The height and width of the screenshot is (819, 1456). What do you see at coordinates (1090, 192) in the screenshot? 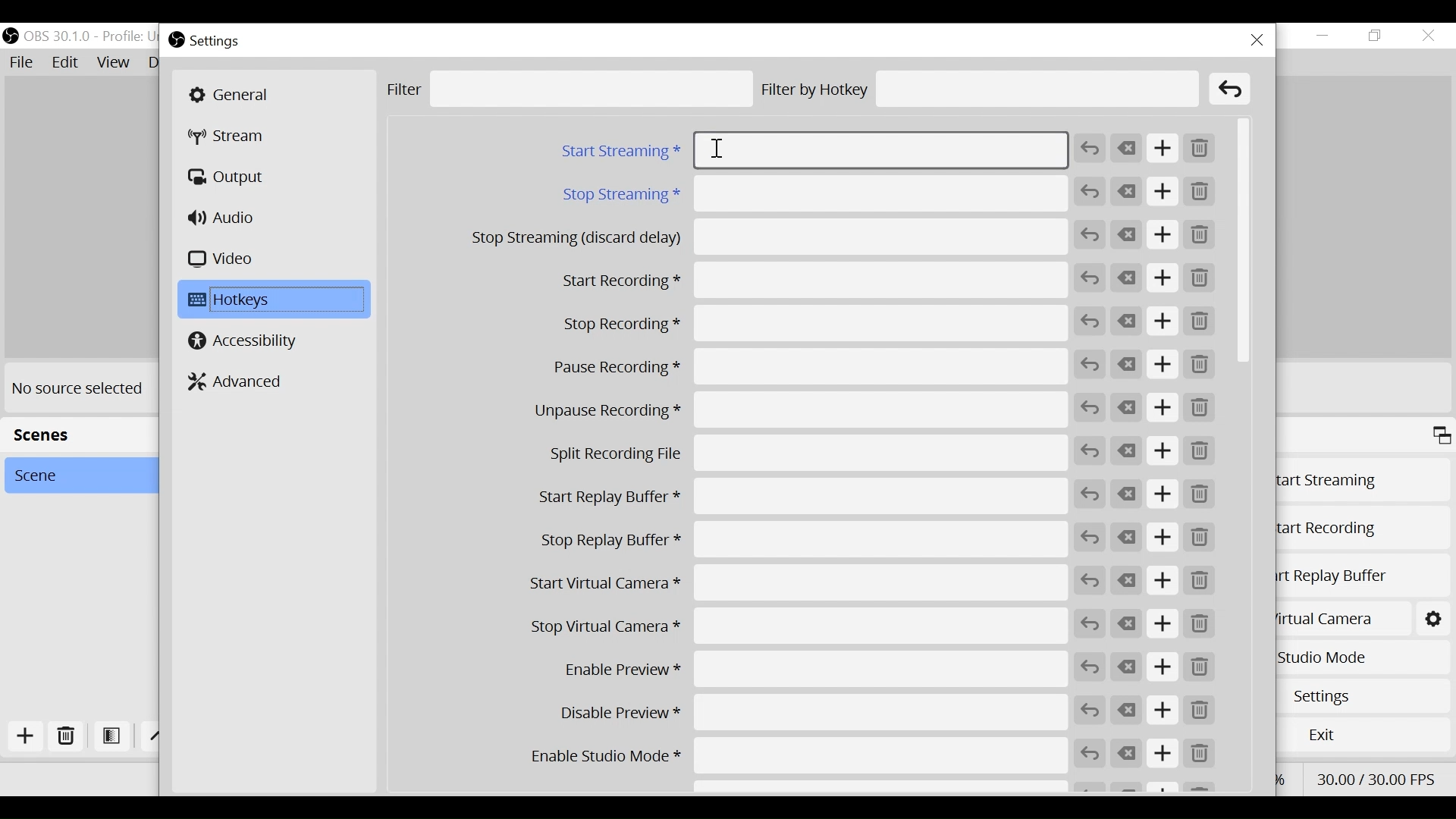
I see `Revert` at bounding box center [1090, 192].